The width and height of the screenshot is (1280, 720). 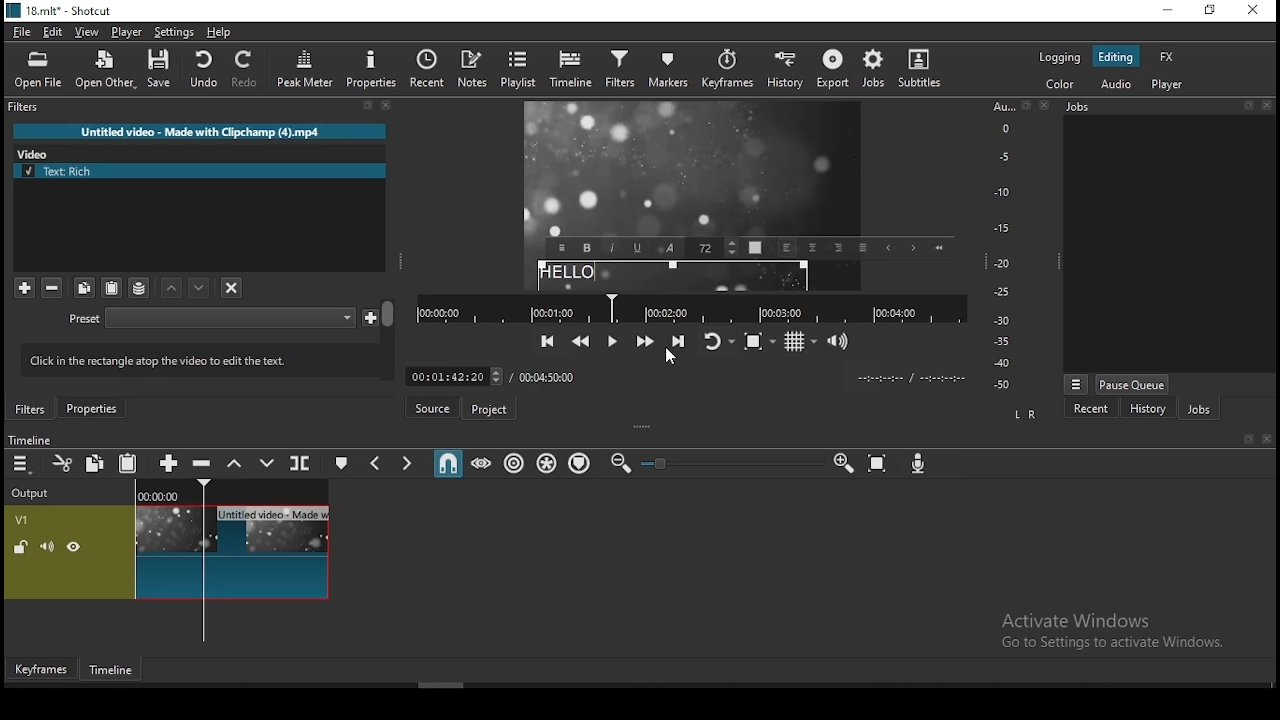 What do you see at coordinates (230, 318) in the screenshot?
I see `Preset Selection` at bounding box center [230, 318].